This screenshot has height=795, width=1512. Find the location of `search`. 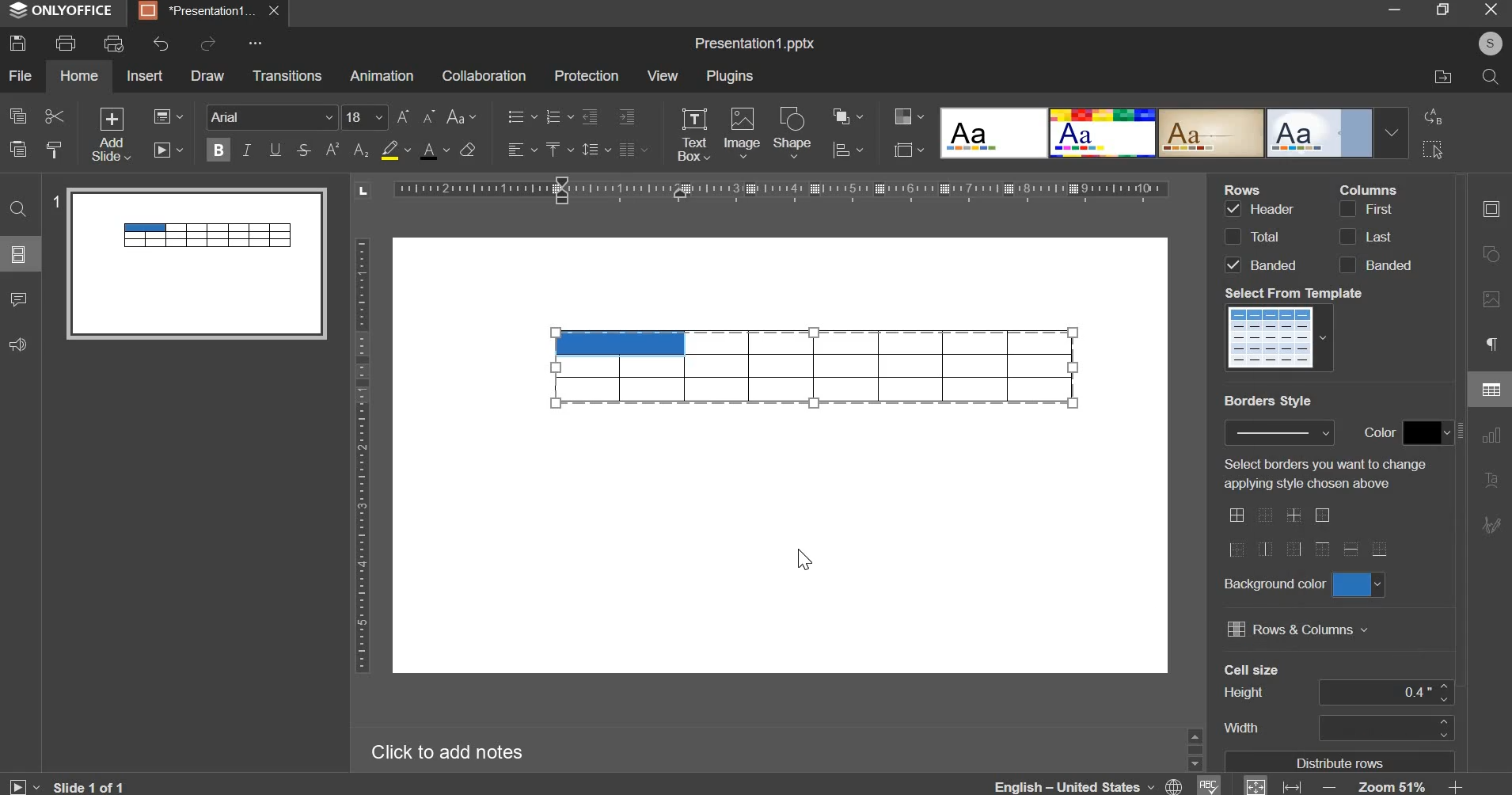

search is located at coordinates (1489, 77).